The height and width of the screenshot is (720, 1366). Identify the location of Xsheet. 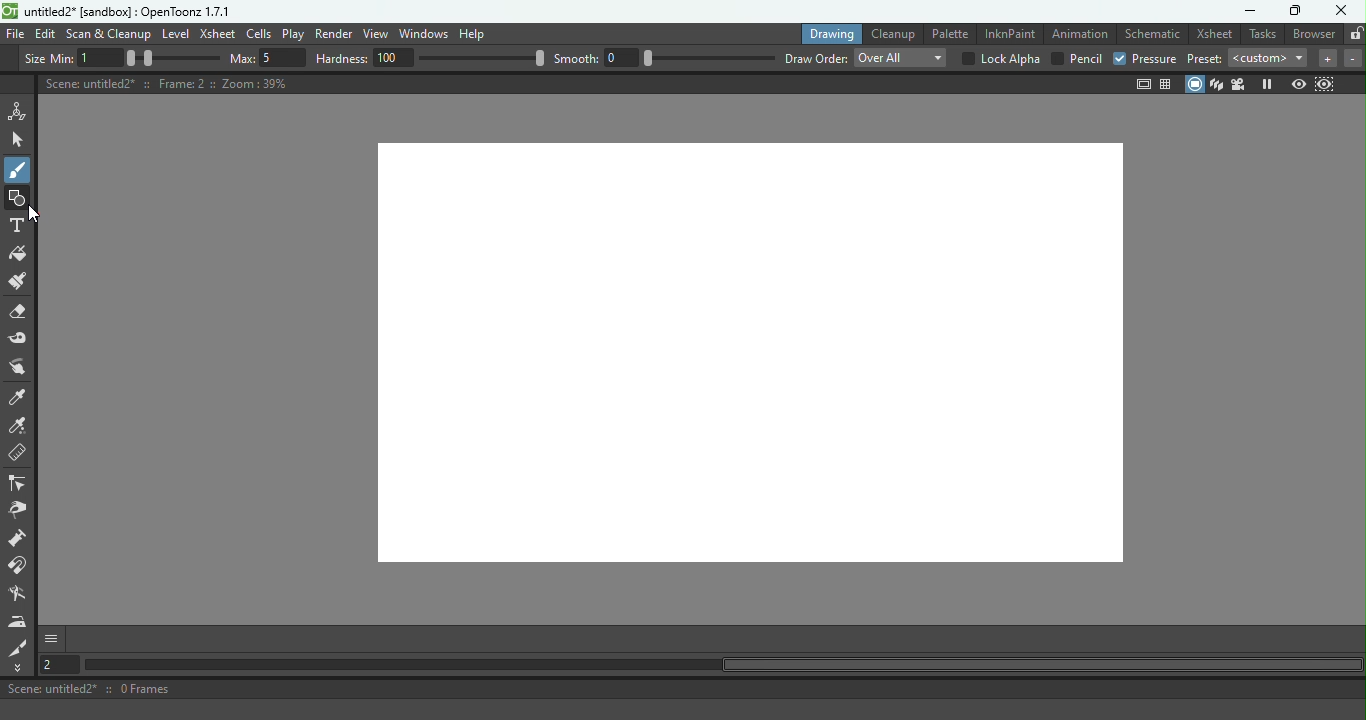
(1214, 33).